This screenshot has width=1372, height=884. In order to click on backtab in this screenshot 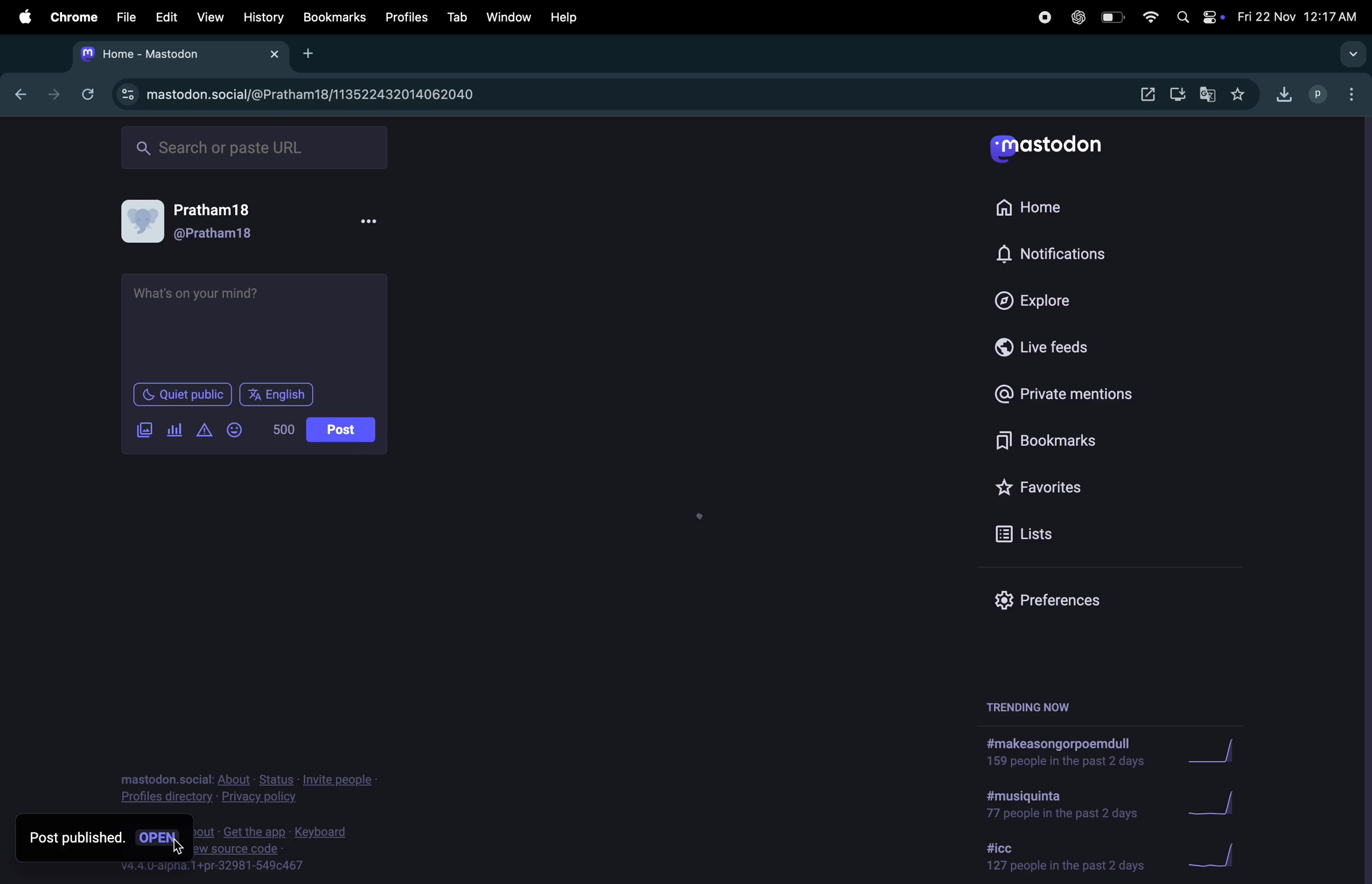, I will do `click(17, 94)`.